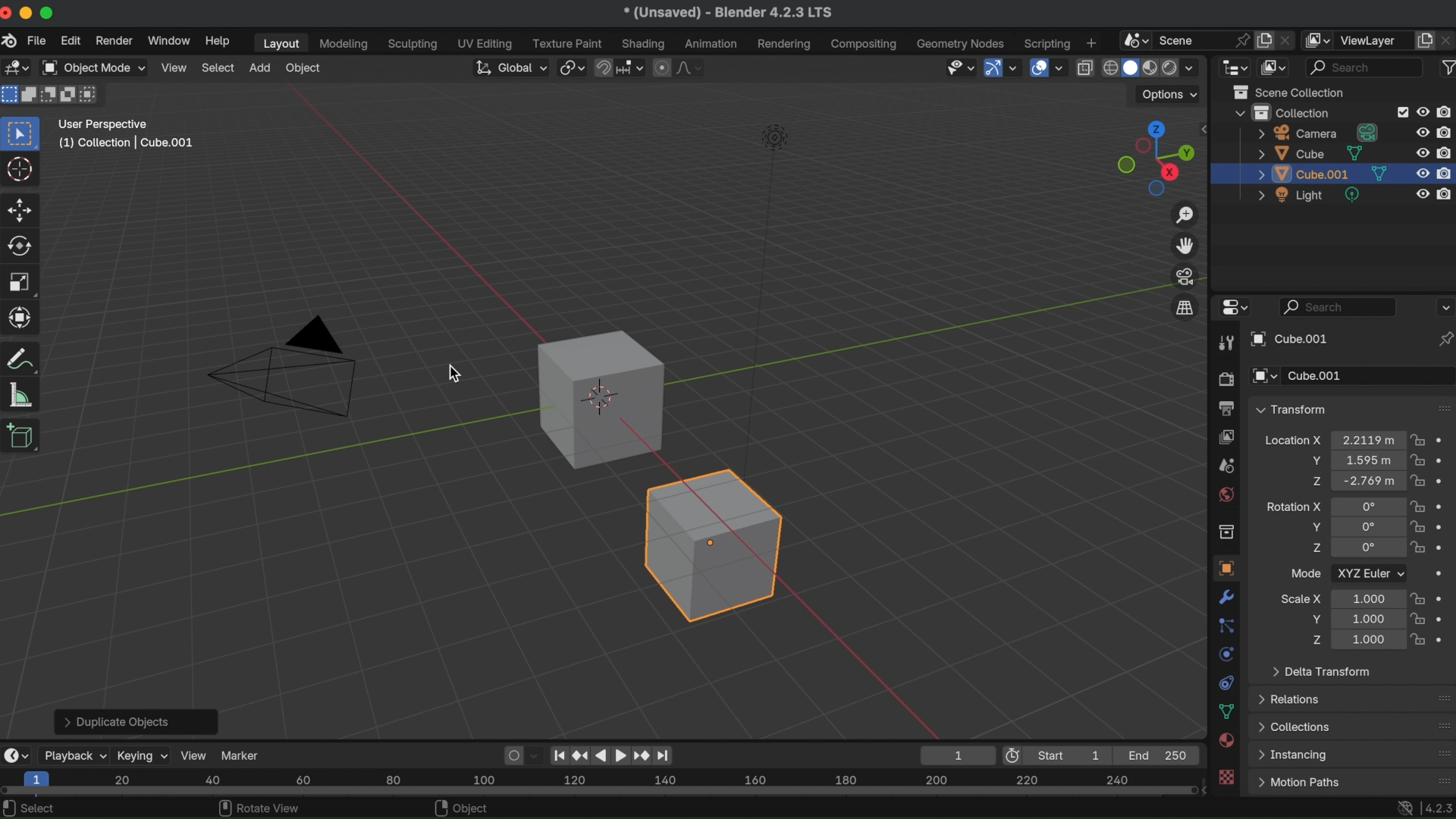  Describe the element at coordinates (1275, 67) in the screenshot. I see `display mode` at that location.